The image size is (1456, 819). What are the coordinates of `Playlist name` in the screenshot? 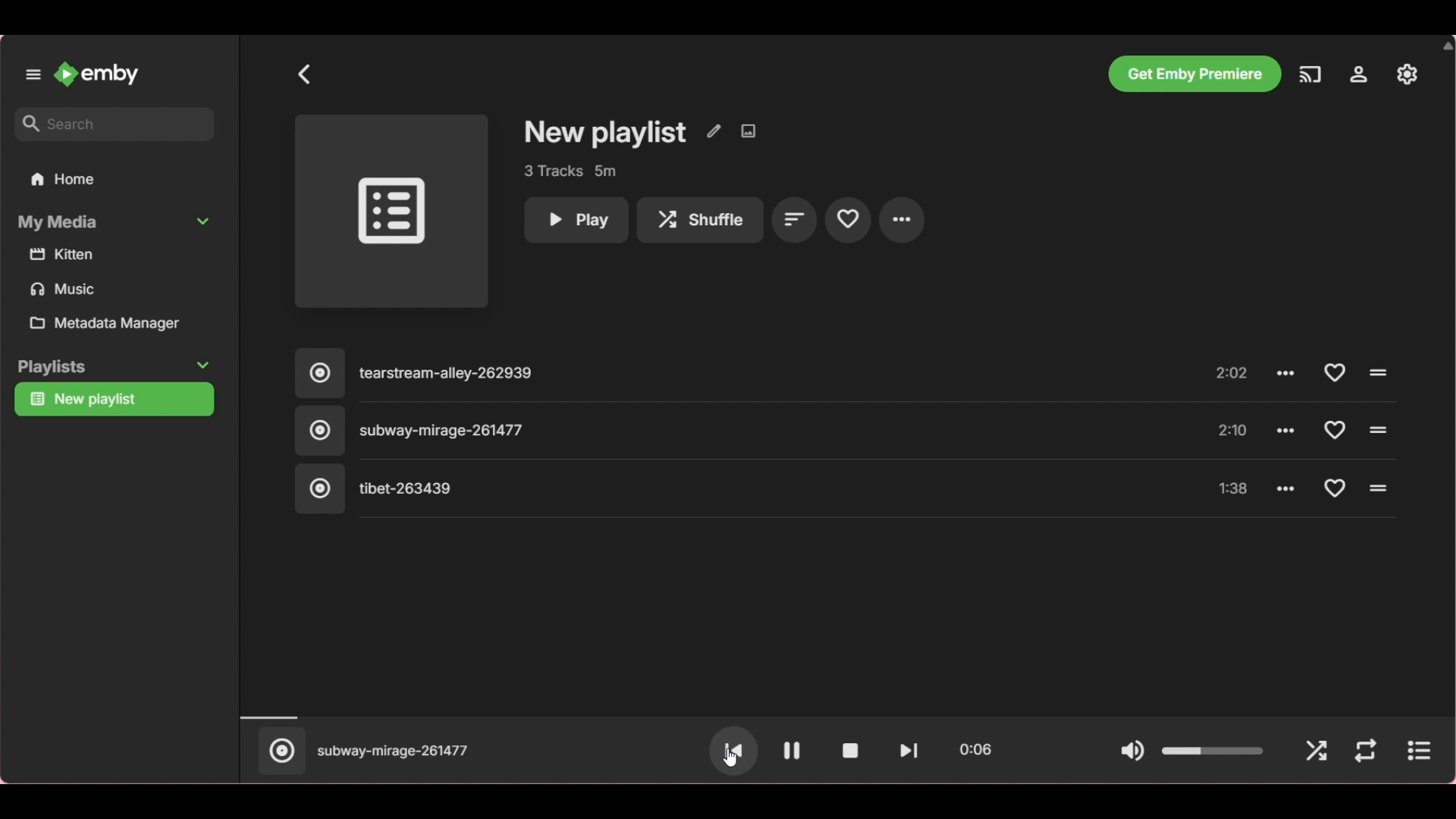 It's located at (606, 133).